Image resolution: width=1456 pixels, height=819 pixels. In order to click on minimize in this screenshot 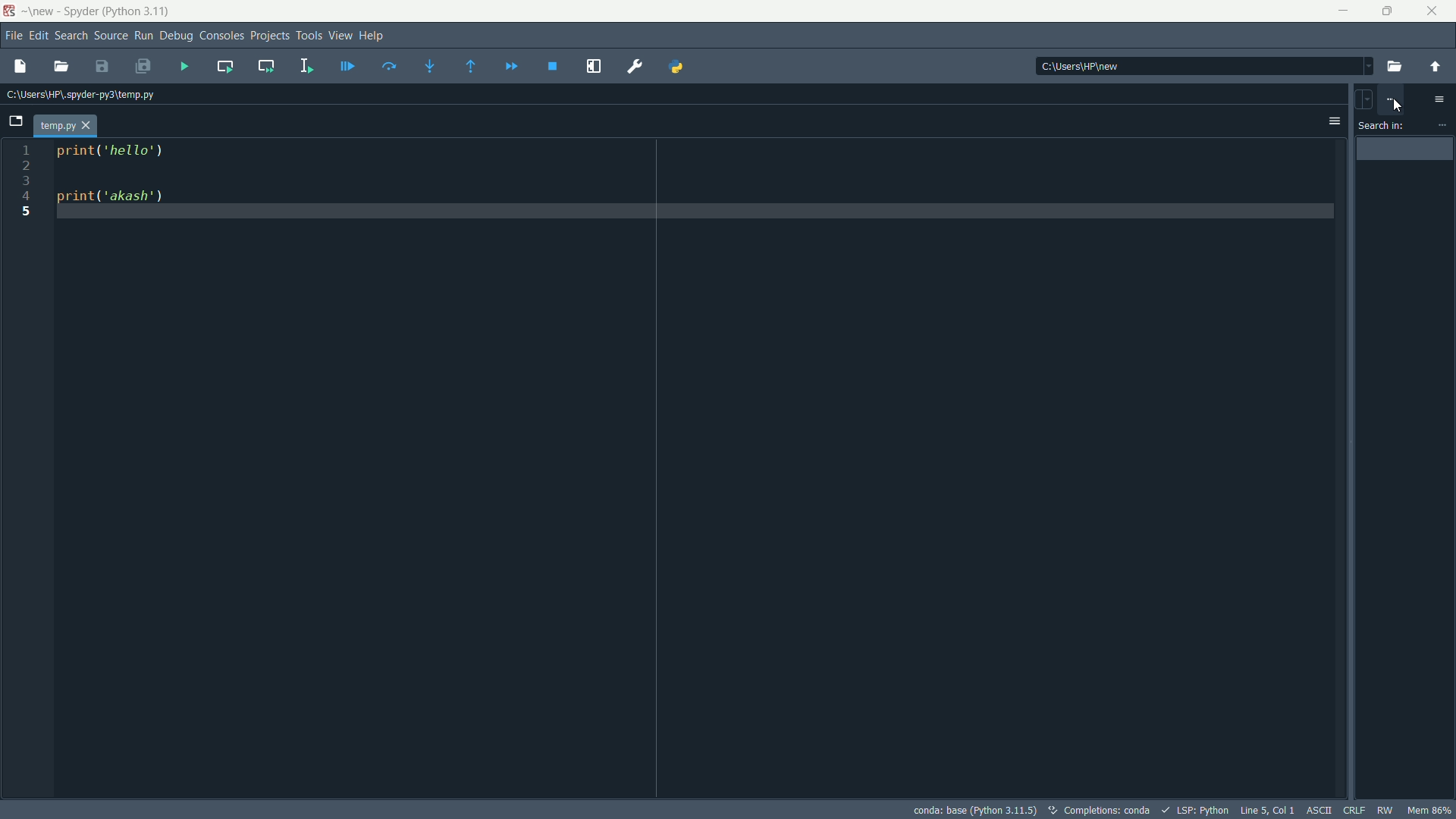, I will do `click(1344, 11)`.